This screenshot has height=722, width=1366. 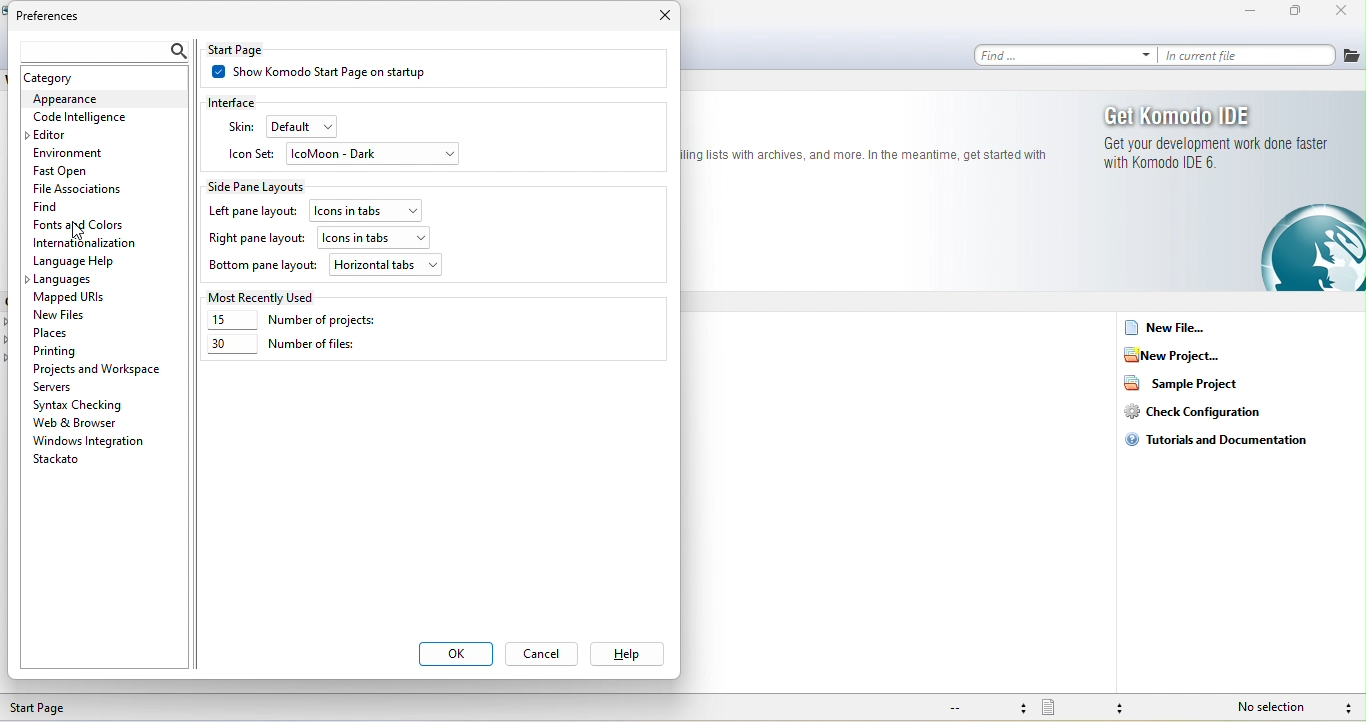 I want to click on mapped urls, so click(x=76, y=298).